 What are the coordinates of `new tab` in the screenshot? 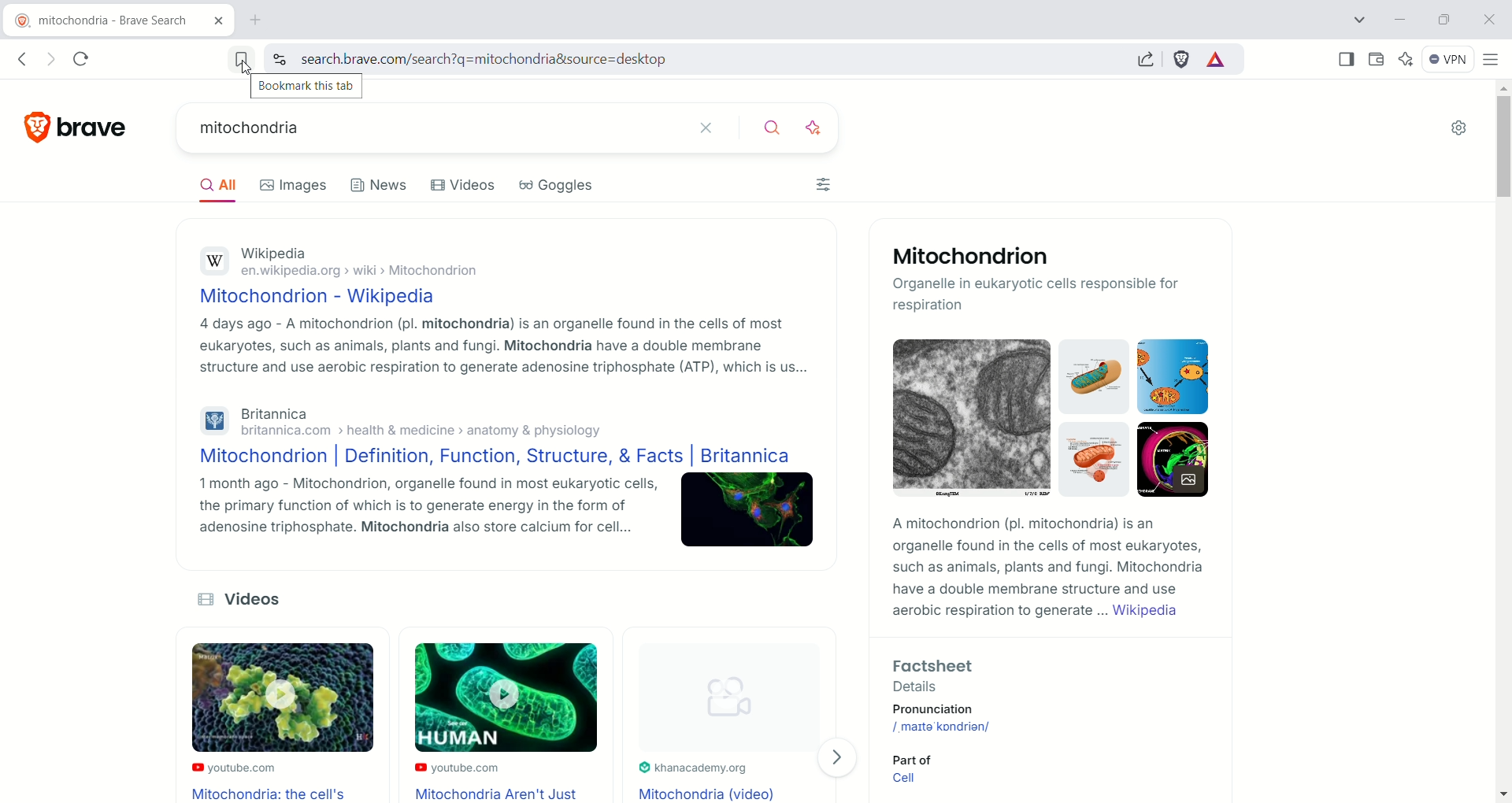 It's located at (258, 22).